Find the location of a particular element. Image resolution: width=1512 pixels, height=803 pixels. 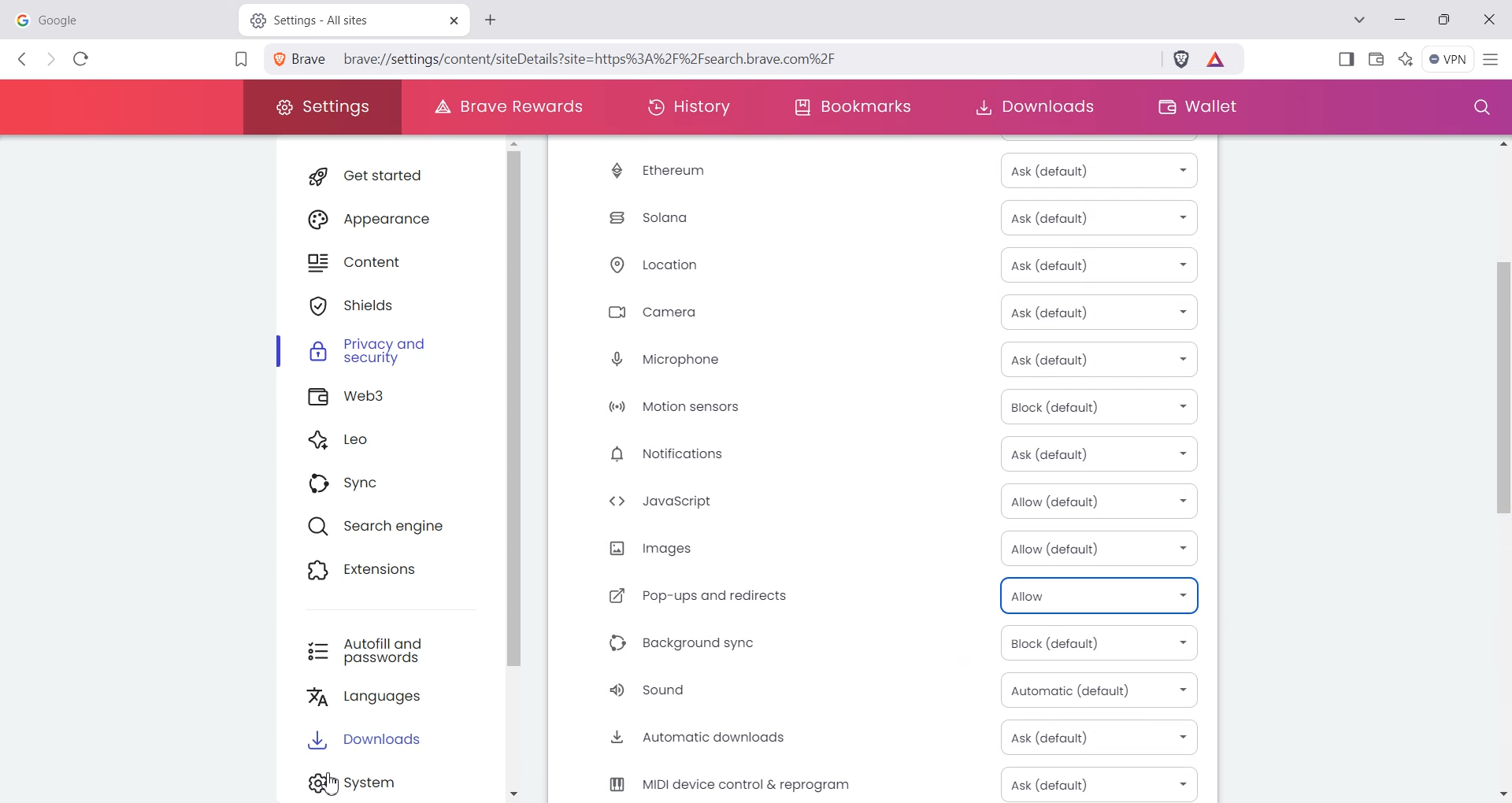

Microphone Ask (Default) is located at coordinates (886, 360).